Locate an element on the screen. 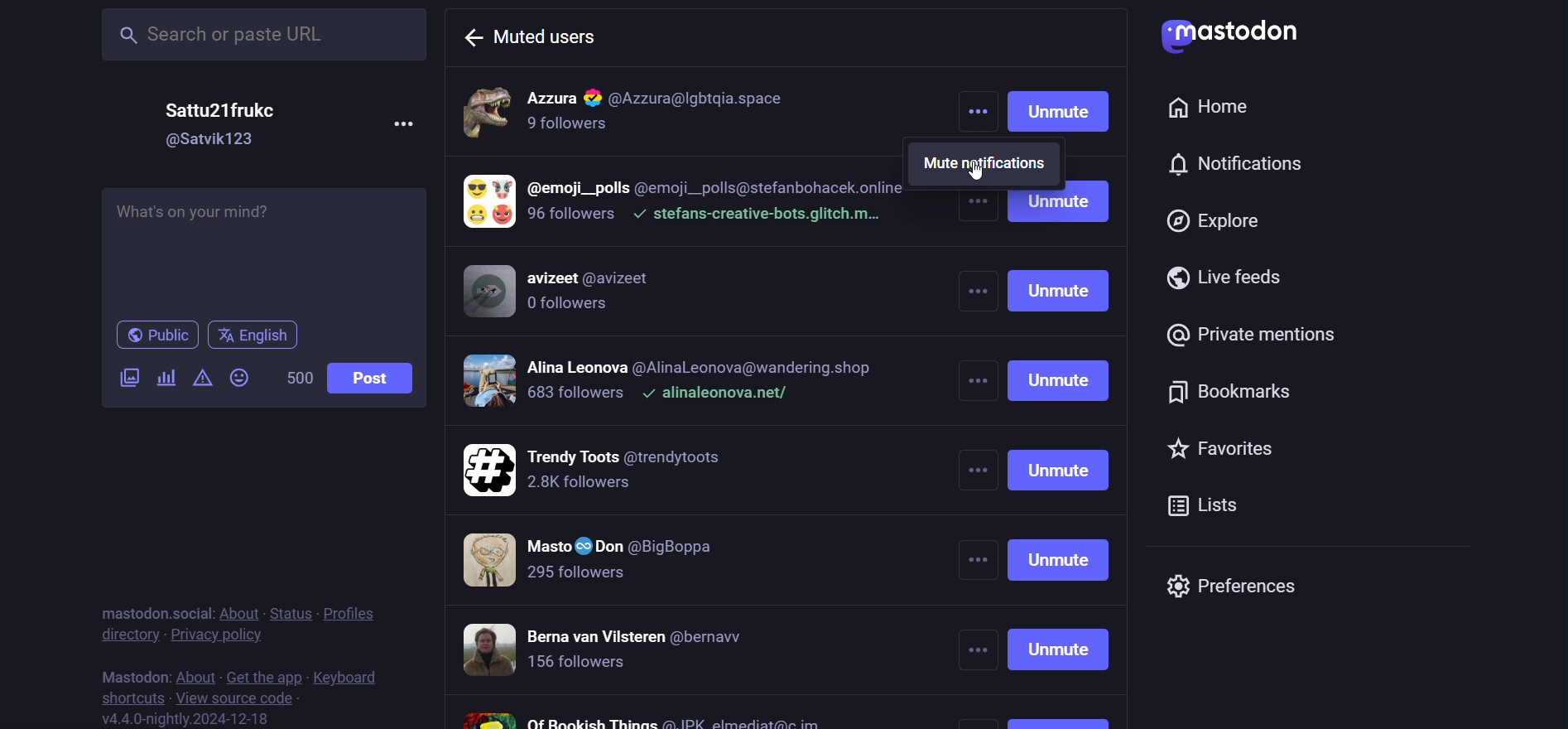 Image resolution: width=1568 pixels, height=729 pixels. favorites is located at coordinates (1223, 451).